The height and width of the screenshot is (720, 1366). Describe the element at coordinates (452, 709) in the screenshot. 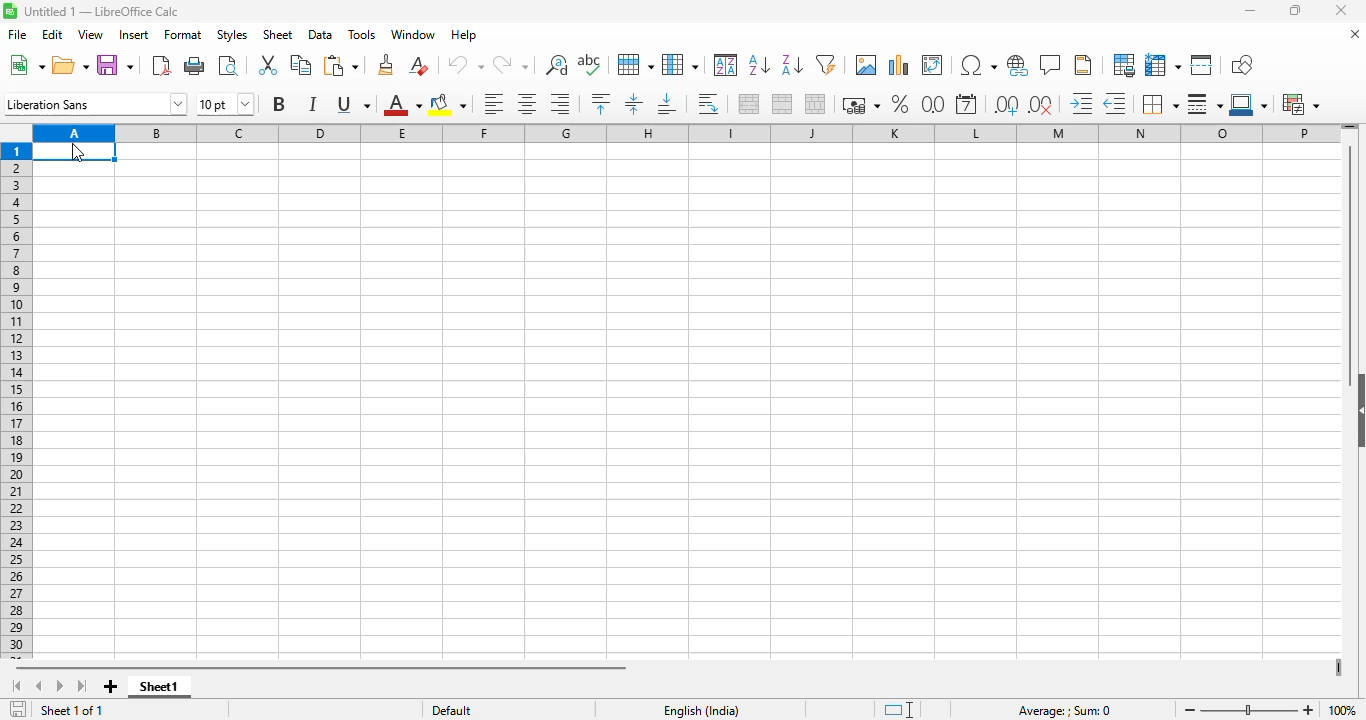

I see `default` at that location.